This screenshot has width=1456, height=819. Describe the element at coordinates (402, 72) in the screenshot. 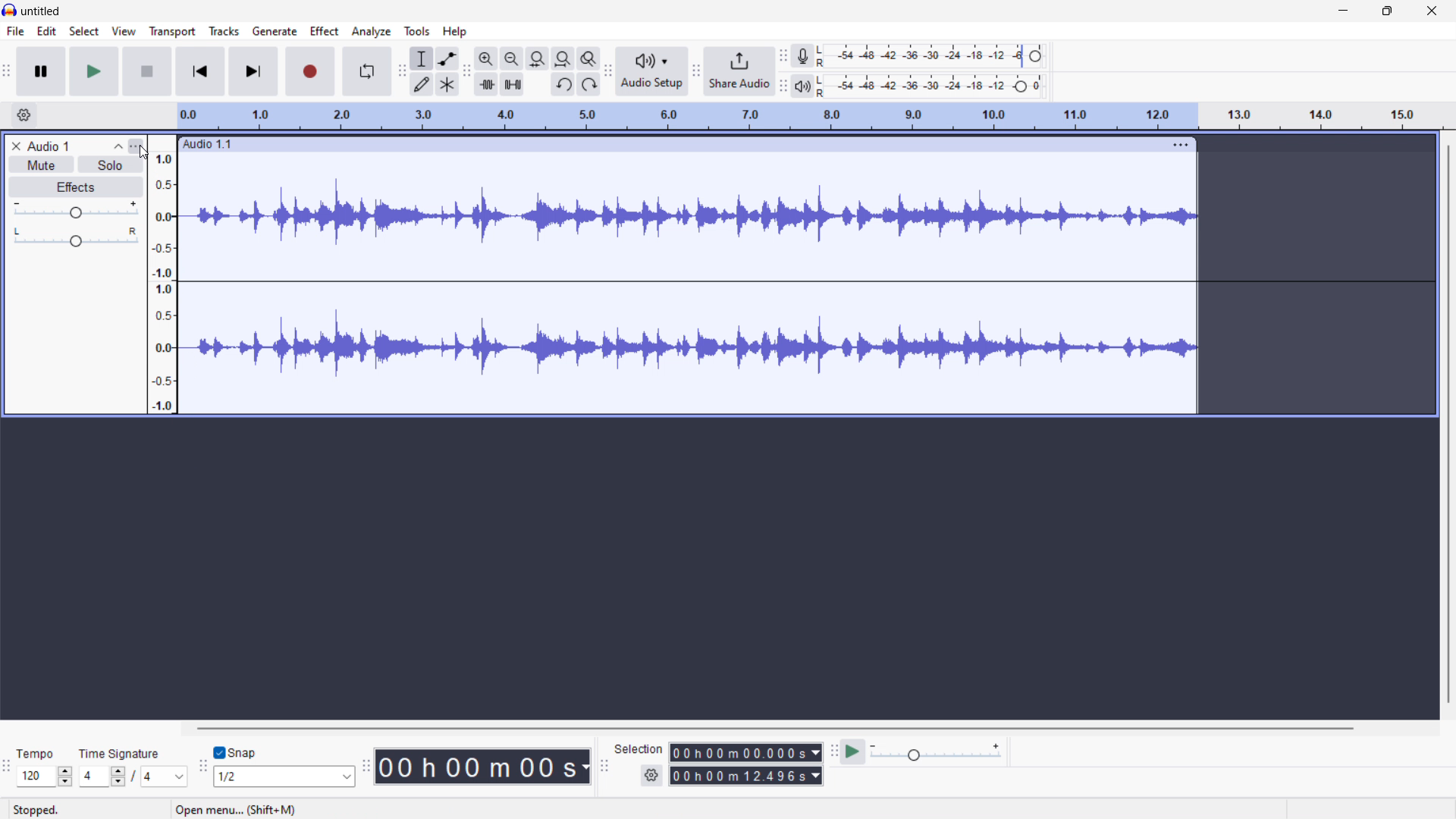

I see `tools toolbar` at that location.